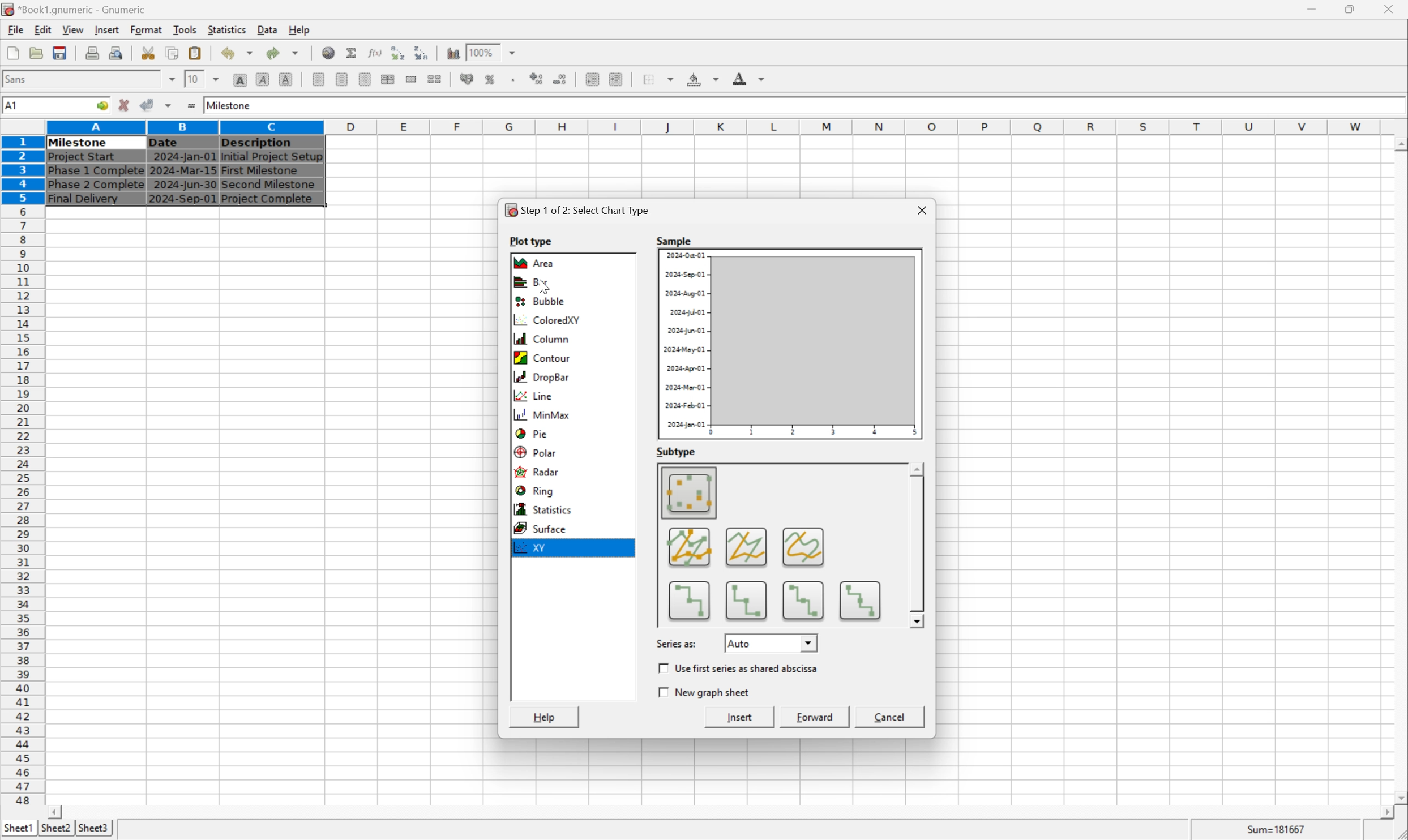 This screenshot has width=1408, height=840. What do you see at coordinates (742, 718) in the screenshot?
I see `insert` at bounding box center [742, 718].